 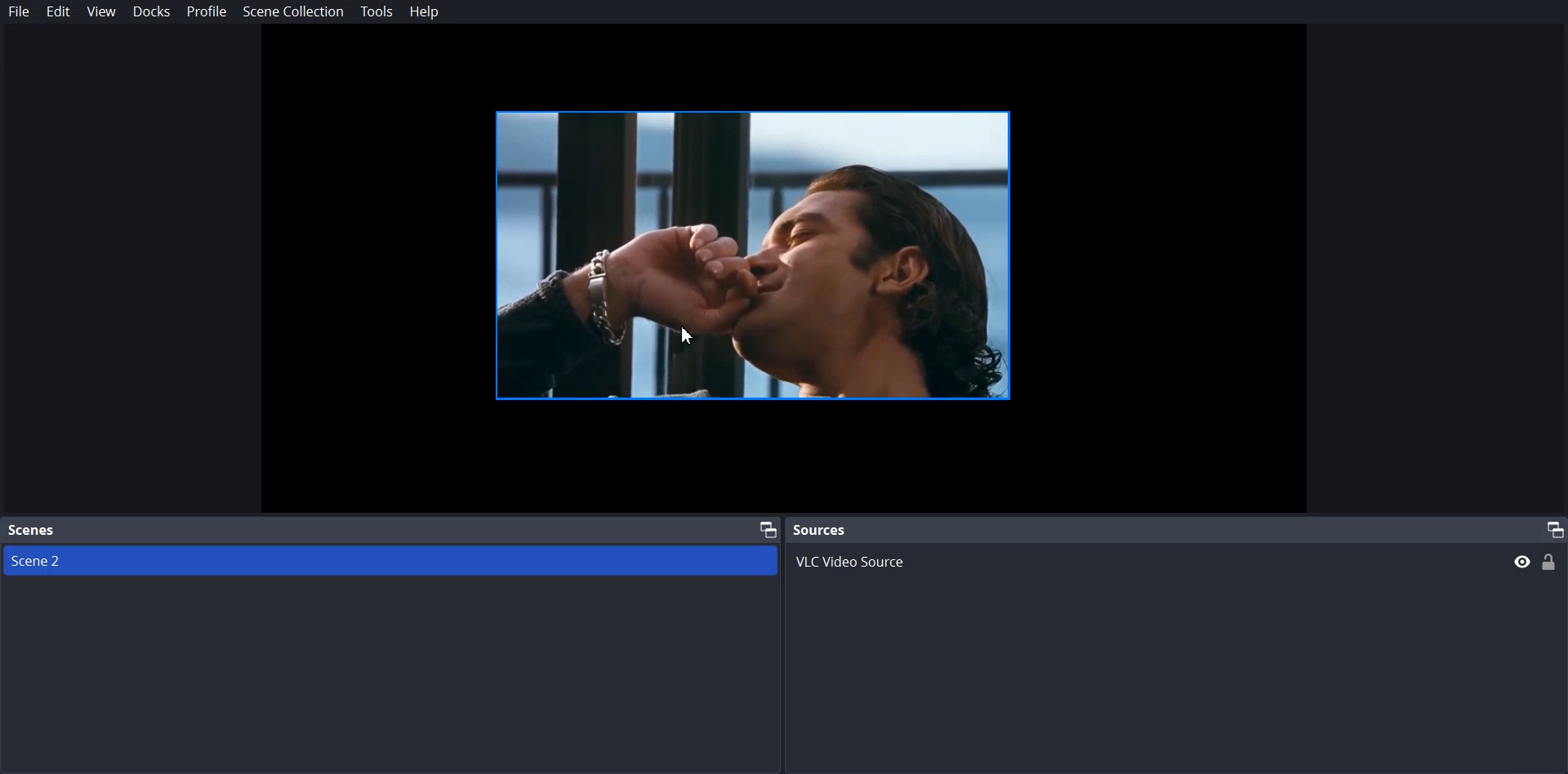 I want to click on Profile, so click(x=206, y=11).